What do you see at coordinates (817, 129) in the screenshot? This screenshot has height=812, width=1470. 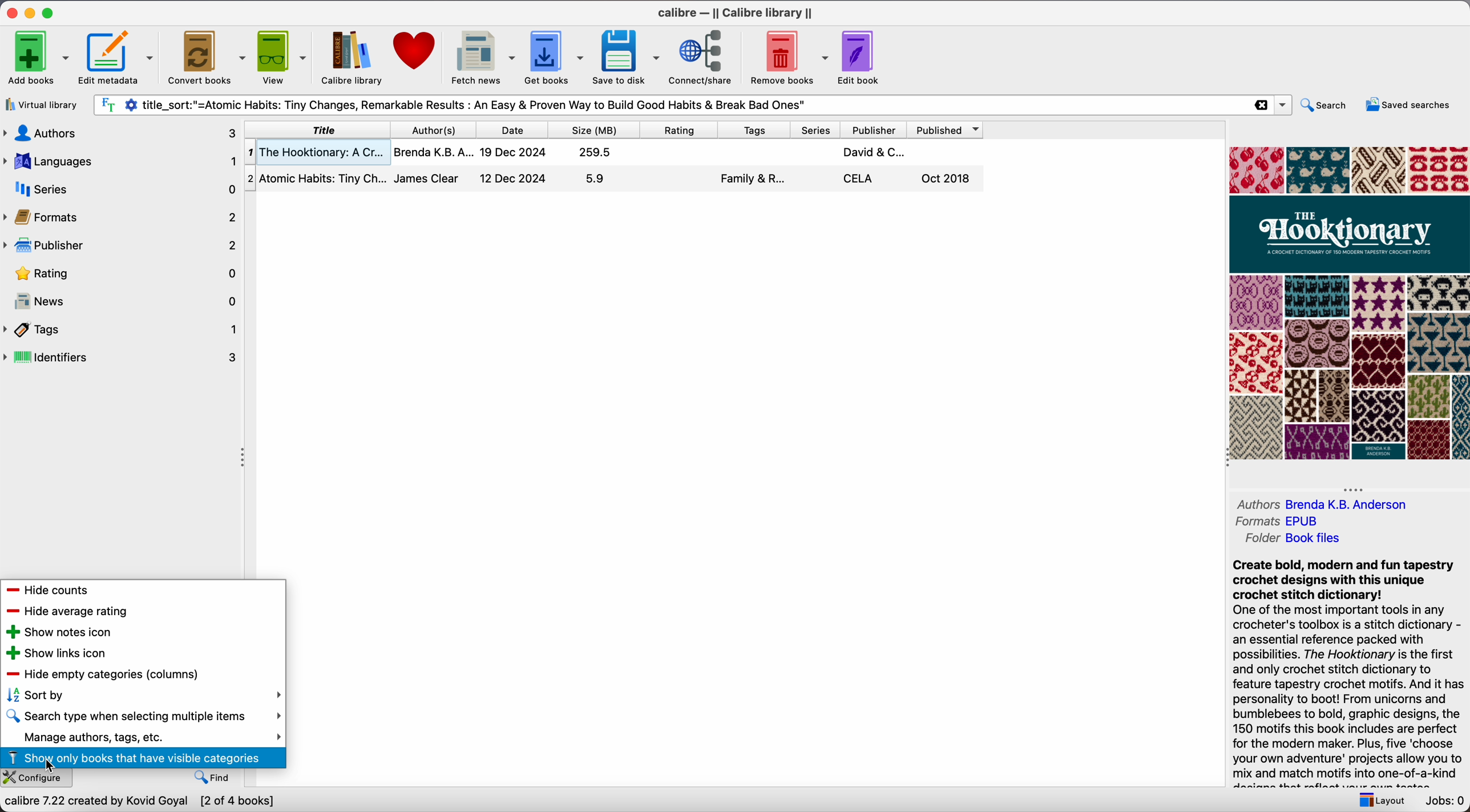 I see `series` at bounding box center [817, 129].